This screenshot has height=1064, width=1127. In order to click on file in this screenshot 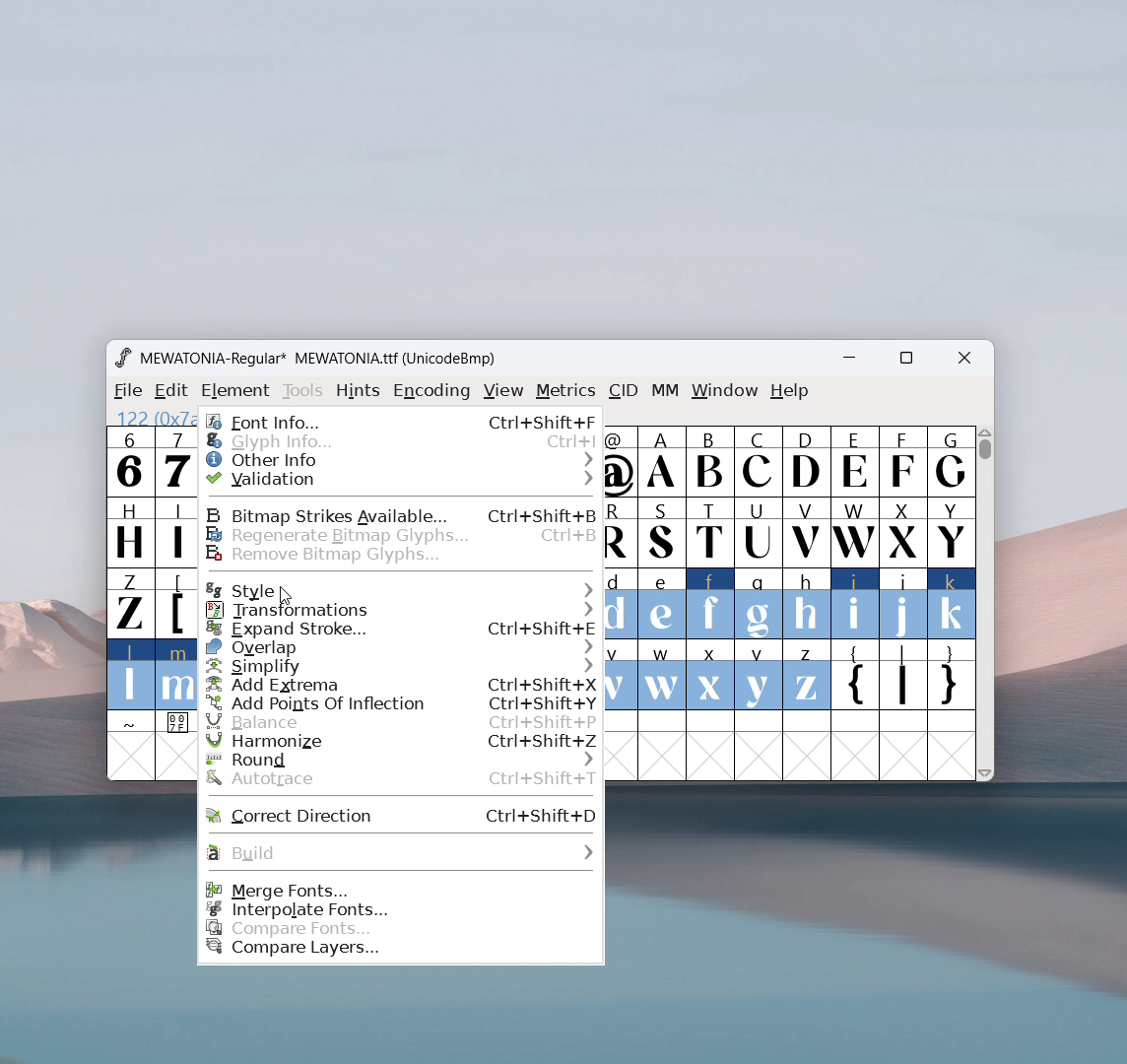, I will do `click(125, 391)`.